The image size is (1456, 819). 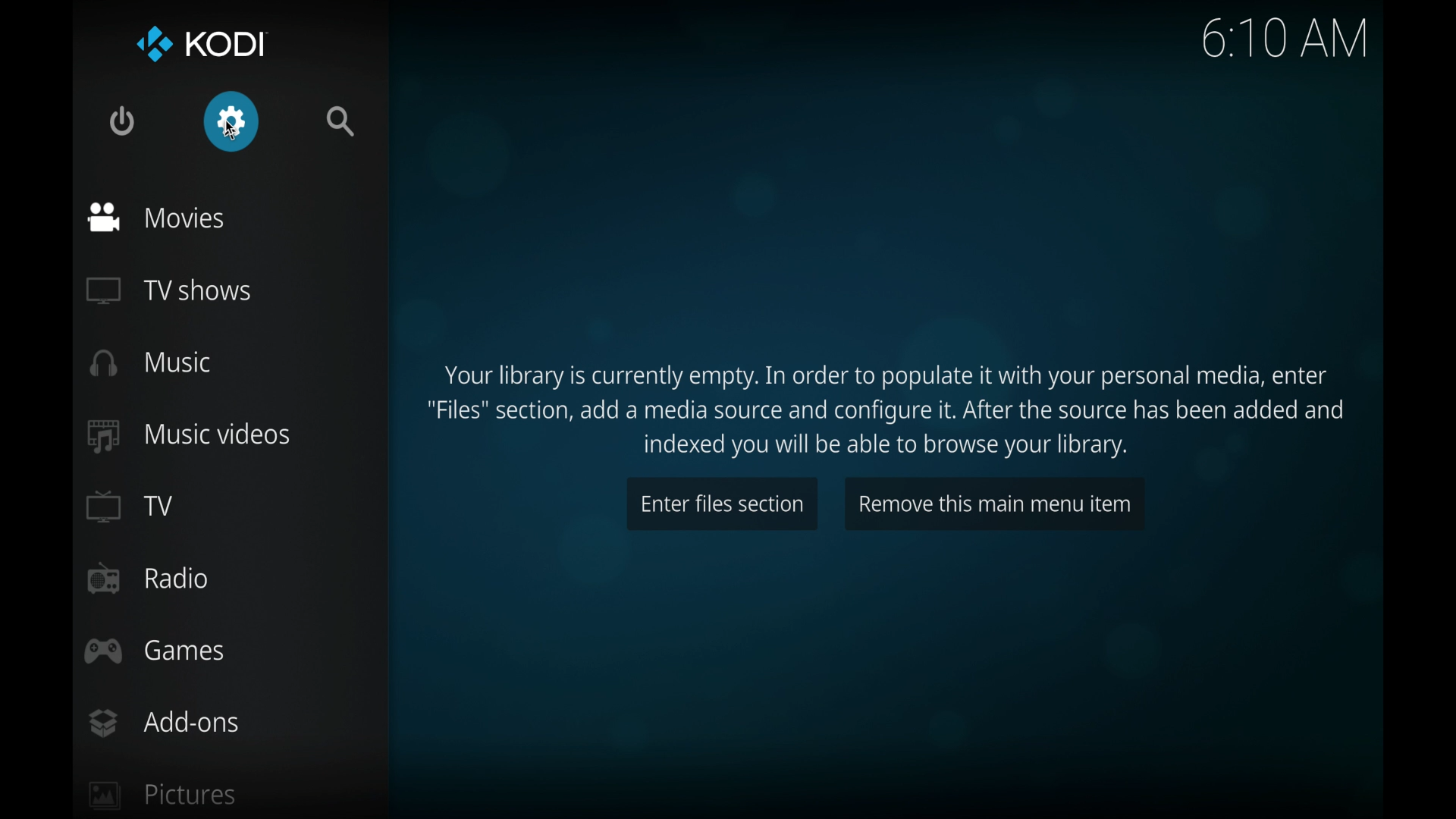 I want to click on Your library is currently empty. In order to populate it with your personal media, enter
"Files" section, add a media source and configure it. After the source has been added and
indexed you will be able to browse your library., so click(x=891, y=407).